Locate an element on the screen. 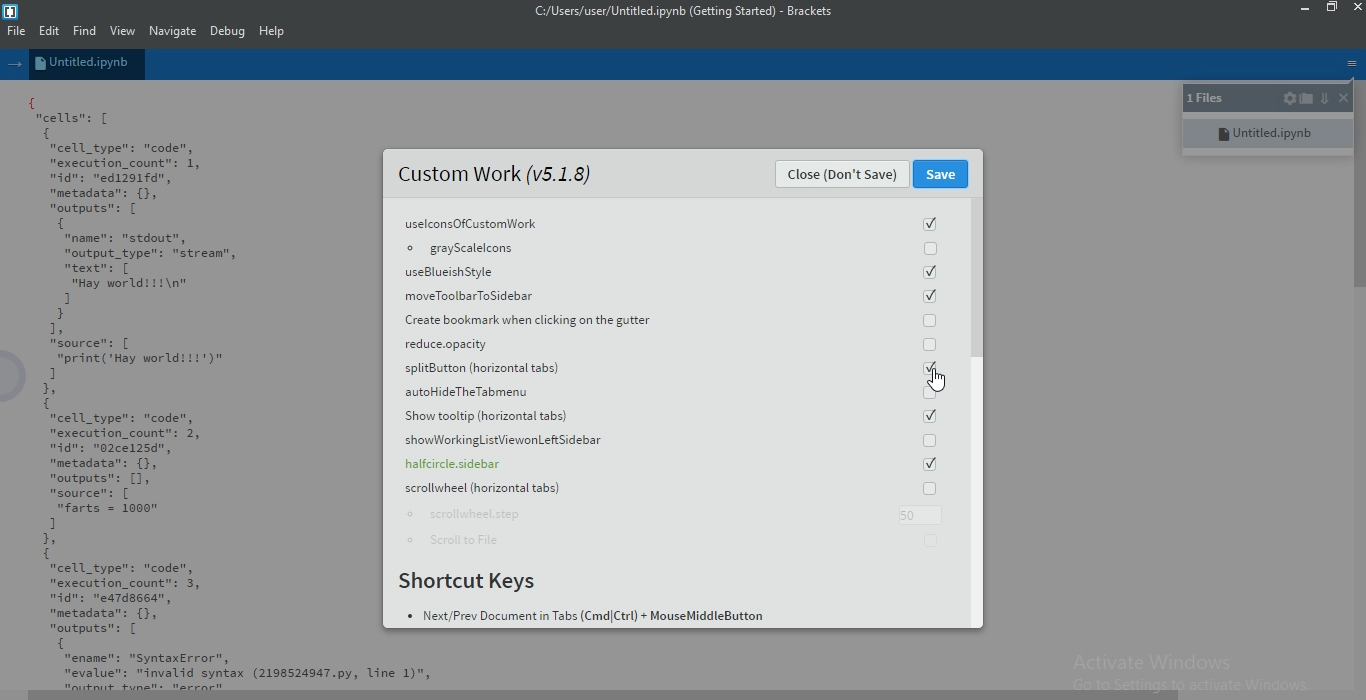  cursor is located at coordinates (936, 379).